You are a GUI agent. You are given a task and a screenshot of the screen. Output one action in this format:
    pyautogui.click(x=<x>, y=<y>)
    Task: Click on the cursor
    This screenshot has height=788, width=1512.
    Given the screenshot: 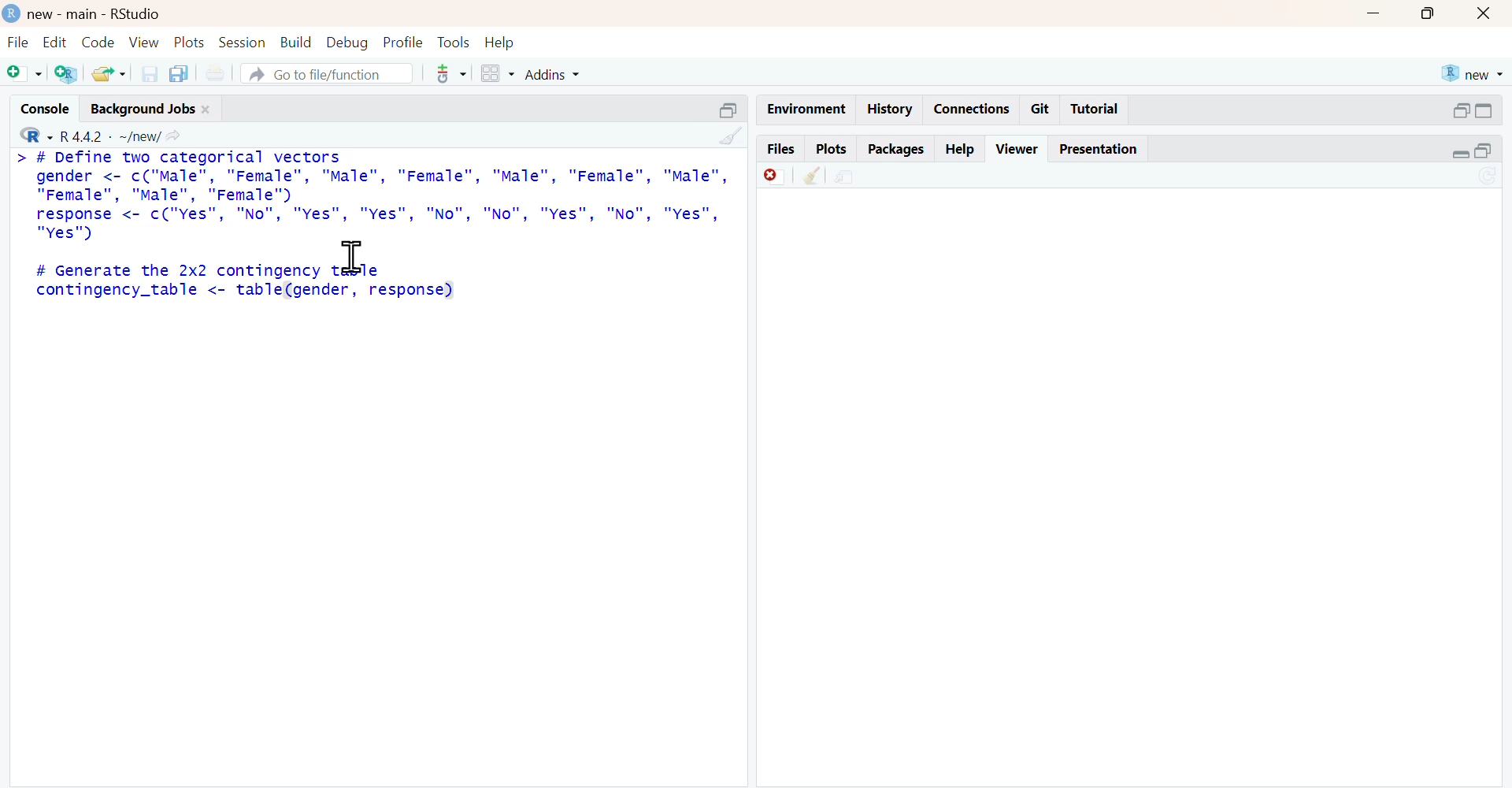 What is the action you would take?
    pyautogui.click(x=354, y=258)
    